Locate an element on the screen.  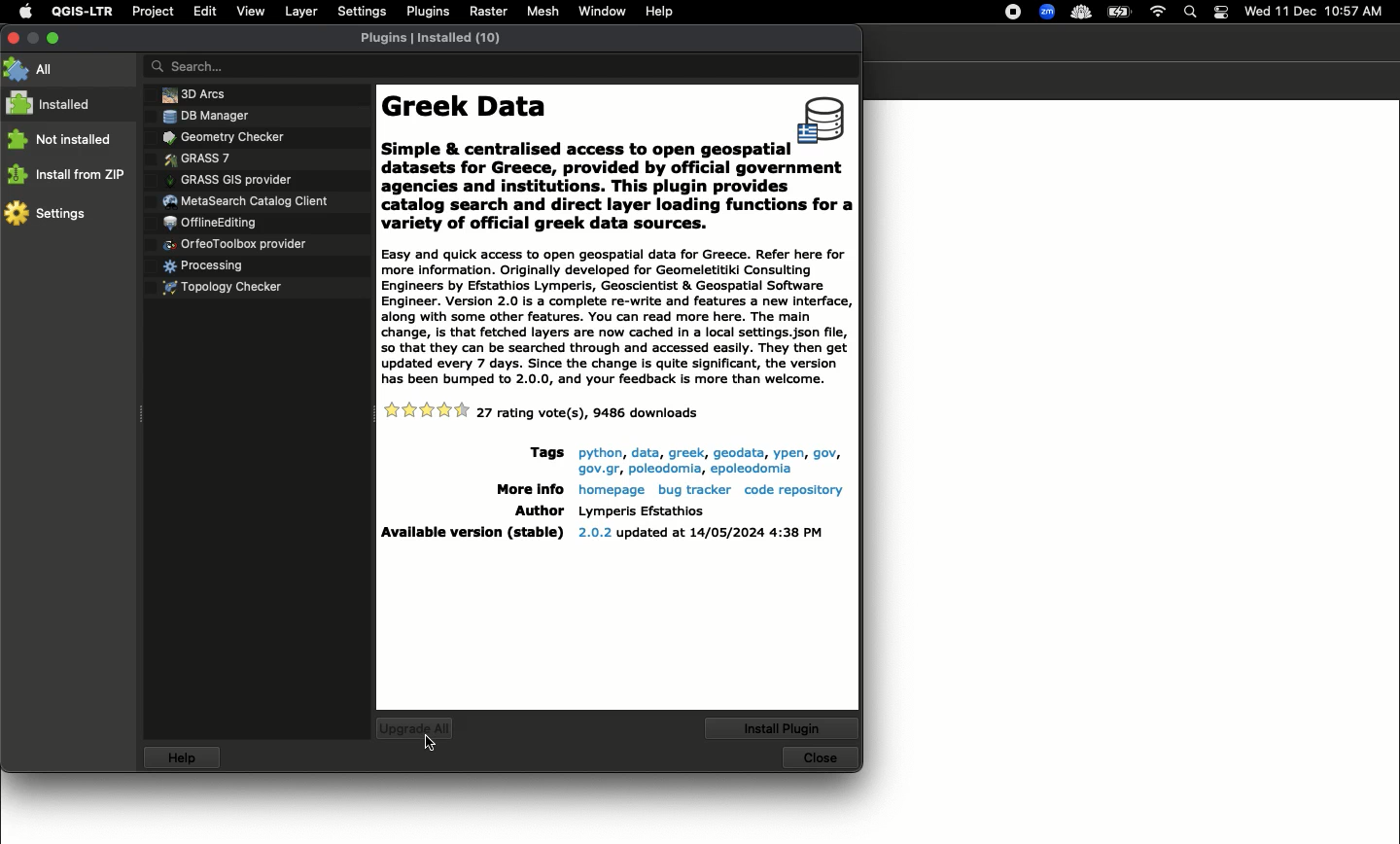
image is located at coordinates (824, 122).